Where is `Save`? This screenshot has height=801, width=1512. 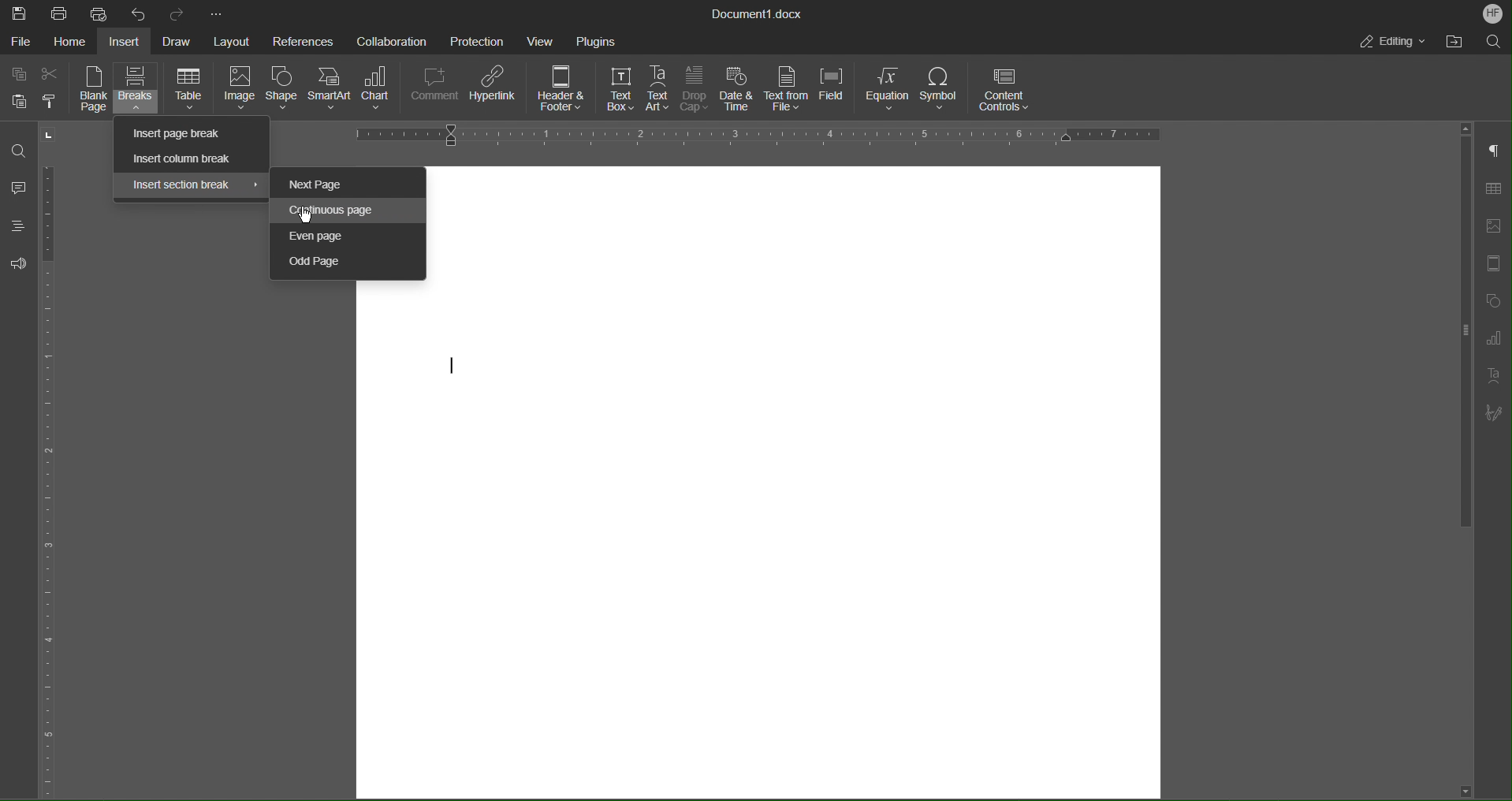
Save is located at coordinates (18, 12).